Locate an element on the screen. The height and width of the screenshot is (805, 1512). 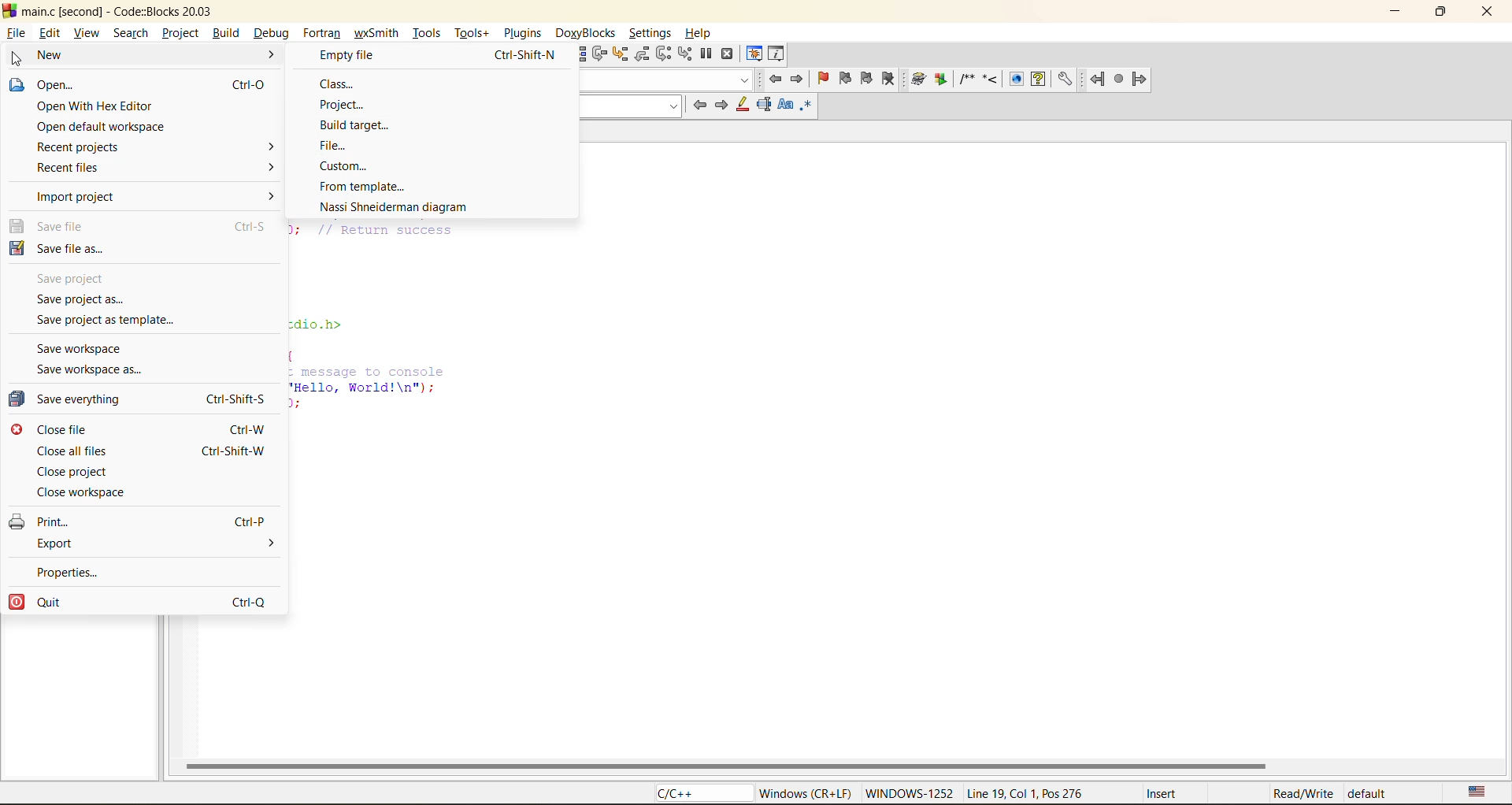
minimize is located at coordinates (1395, 12).